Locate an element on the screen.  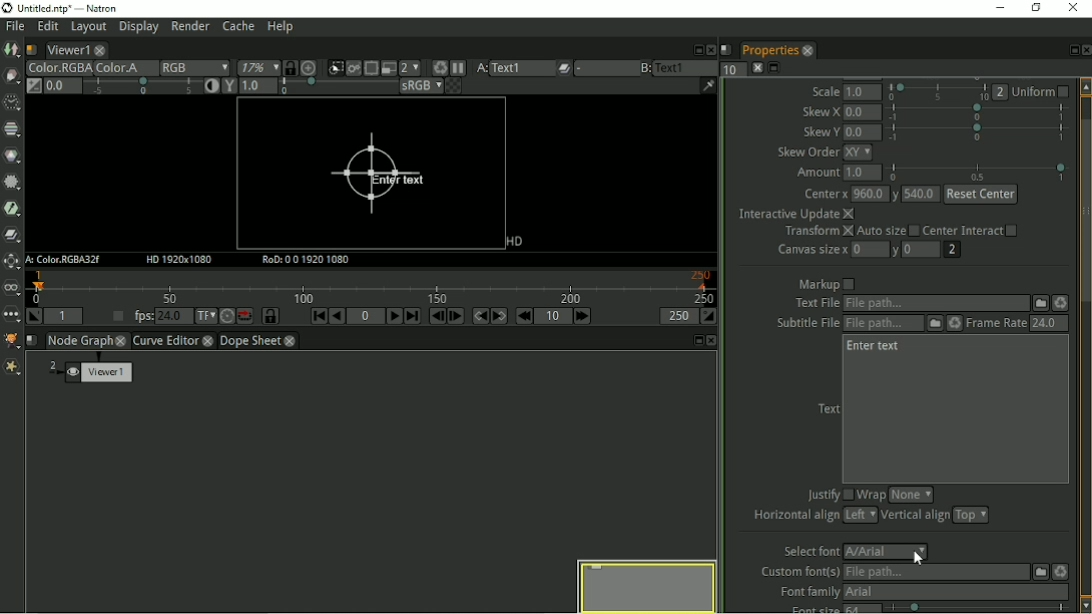
17% is located at coordinates (257, 67).